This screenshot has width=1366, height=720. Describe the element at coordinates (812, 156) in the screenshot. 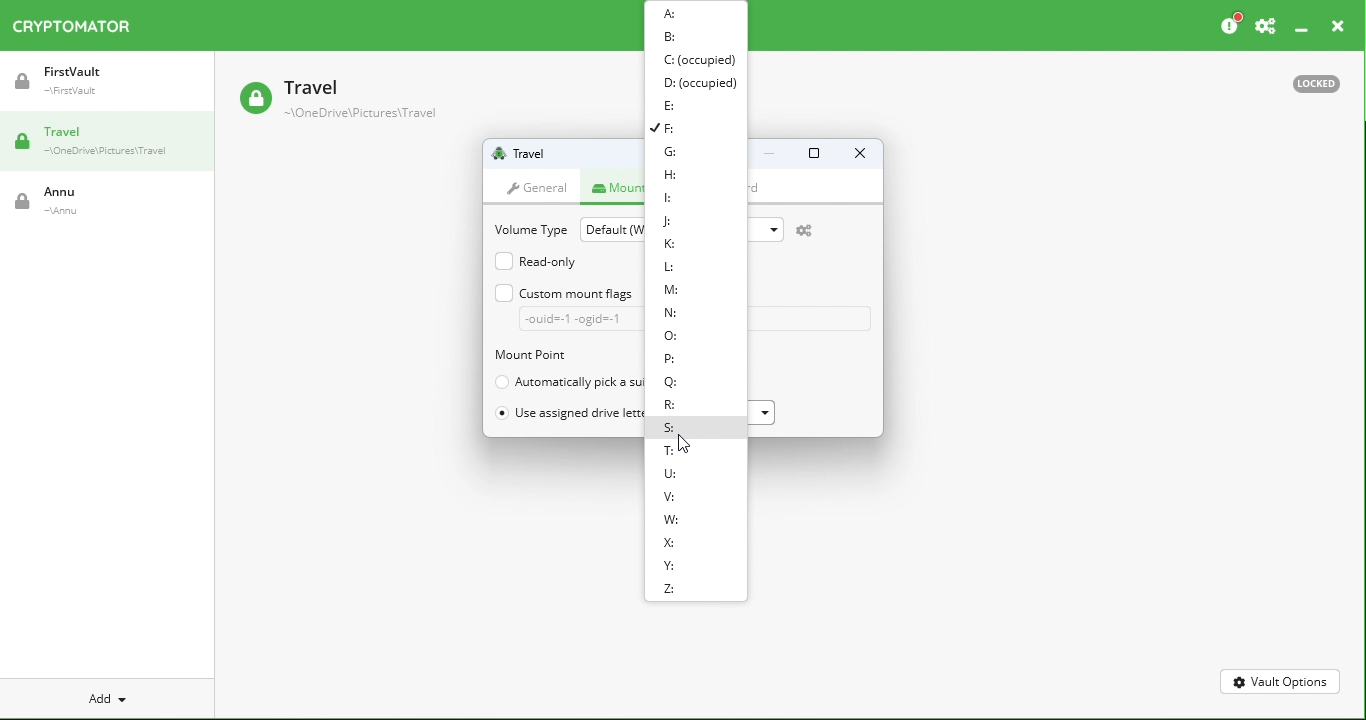

I see `Maximize` at that location.